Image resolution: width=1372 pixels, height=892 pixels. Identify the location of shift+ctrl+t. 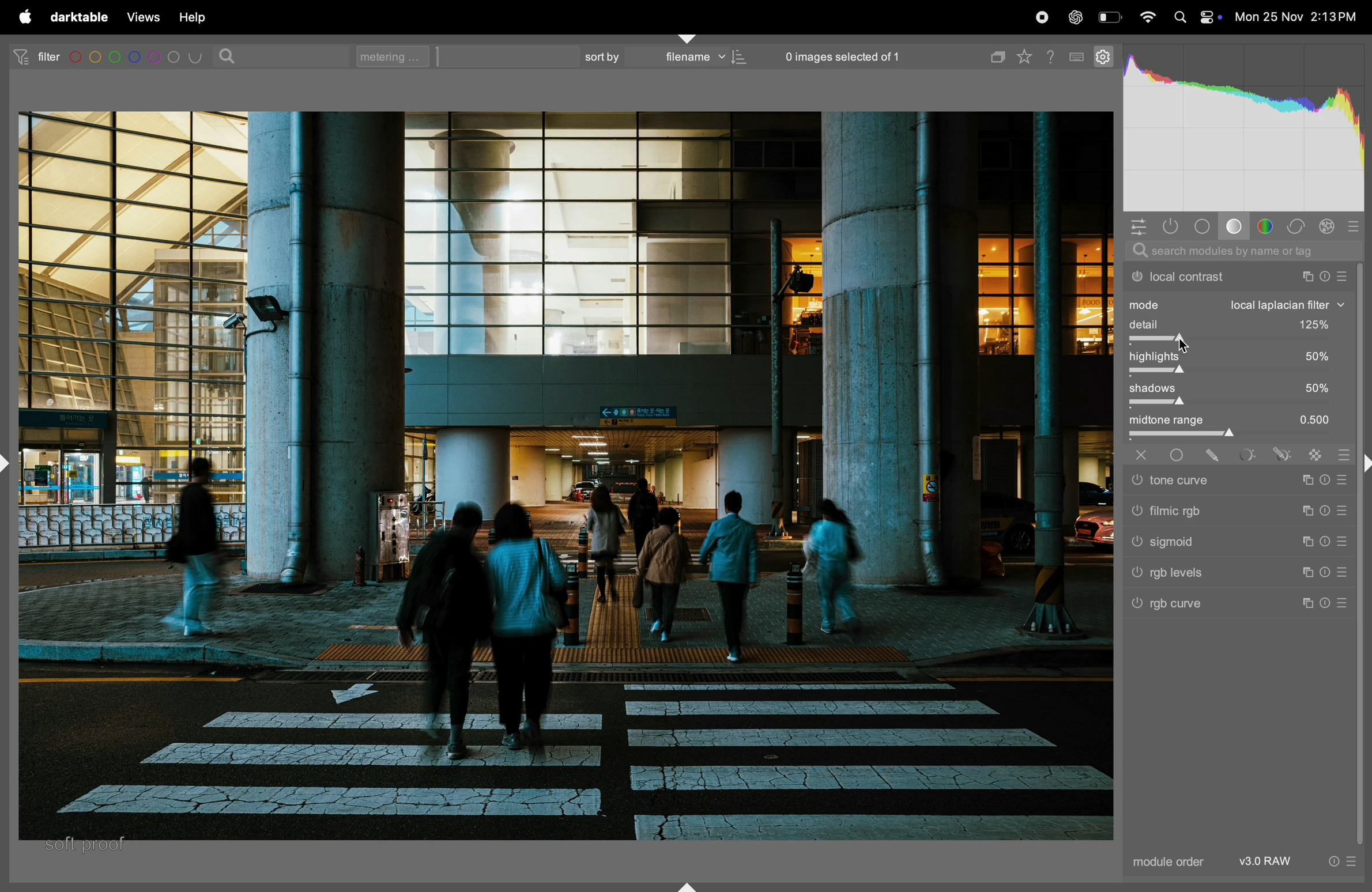
(688, 37).